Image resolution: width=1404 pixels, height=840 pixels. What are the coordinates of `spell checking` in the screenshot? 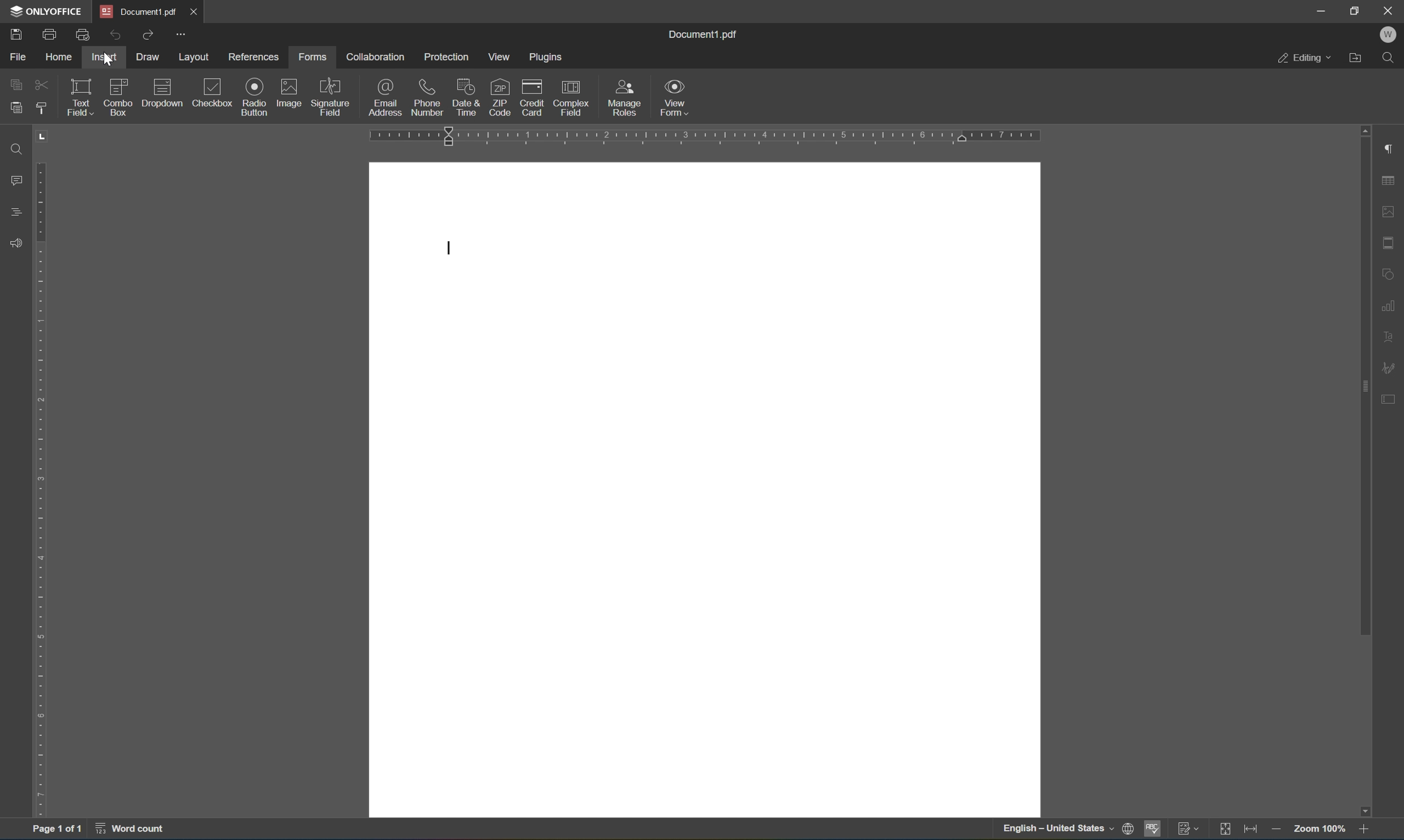 It's located at (1155, 828).